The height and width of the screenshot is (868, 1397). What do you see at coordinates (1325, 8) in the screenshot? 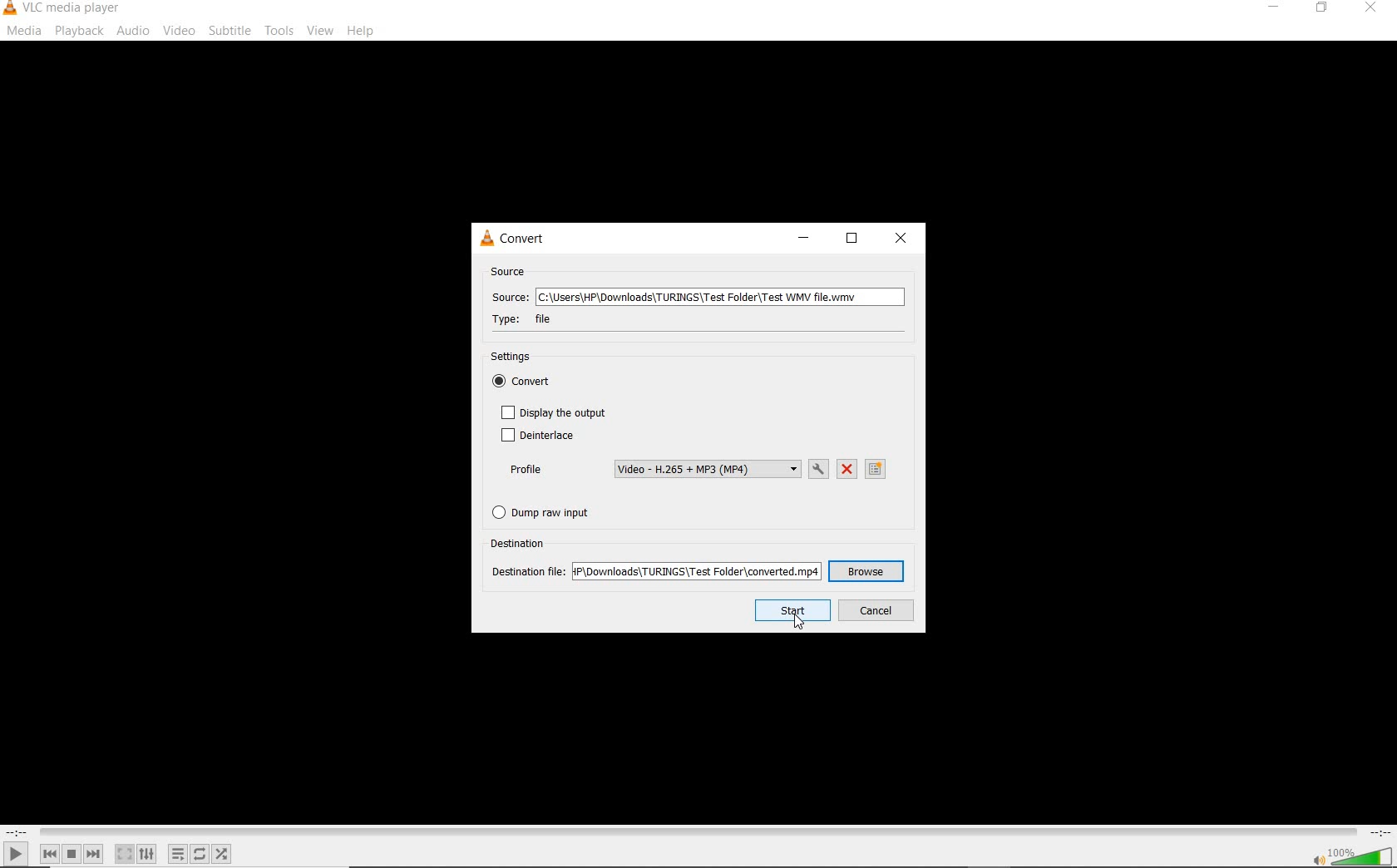
I see `restore down` at bounding box center [1325, 8].